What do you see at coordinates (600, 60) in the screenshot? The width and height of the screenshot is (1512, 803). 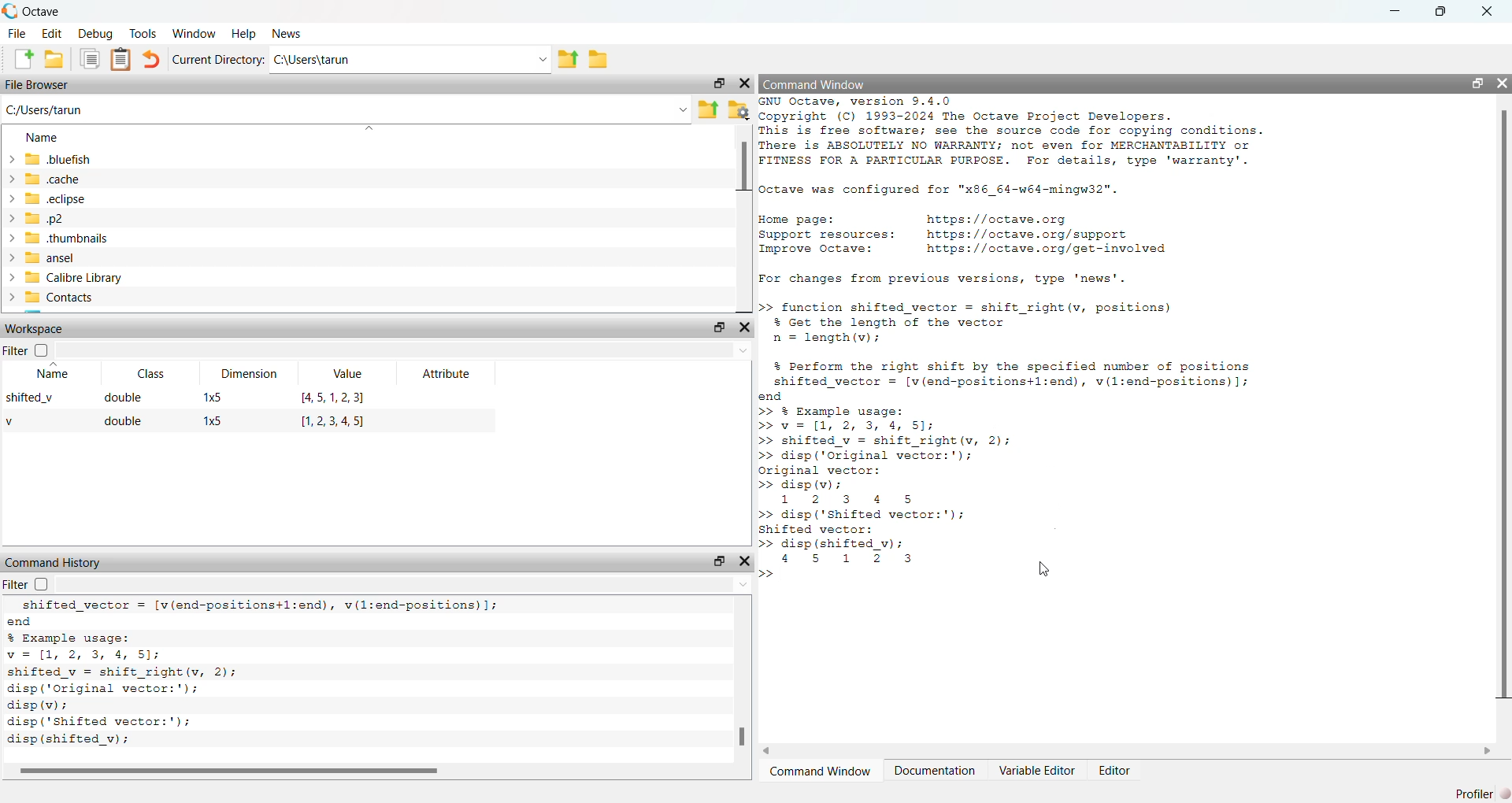 I see `browse directories` at bounding box center [600, 60].